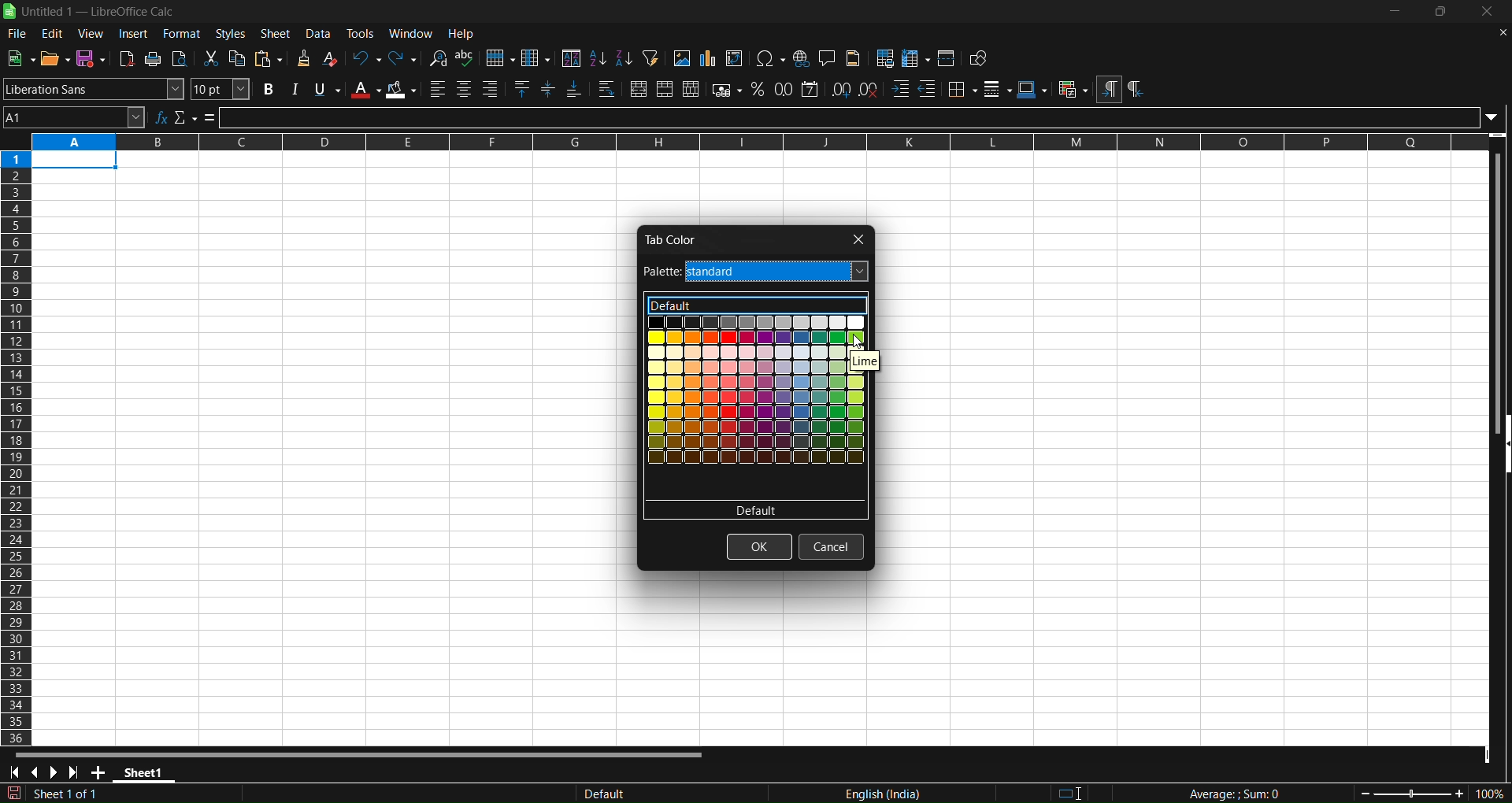 The width and height of the screenshot is (1512, 803). I want to click on sheet, so click(277, 33).